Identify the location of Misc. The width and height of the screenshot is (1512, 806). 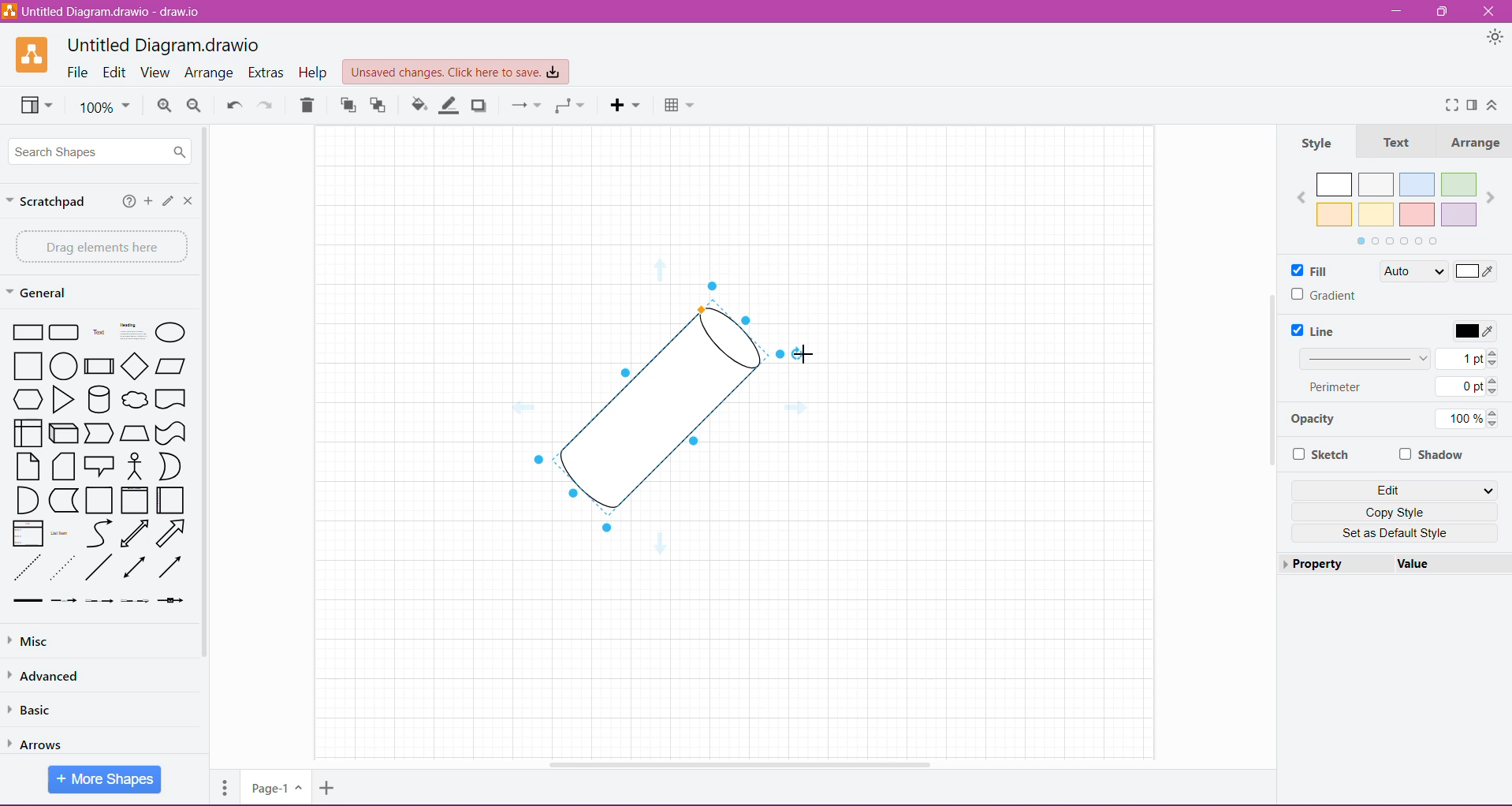
(88, 641).